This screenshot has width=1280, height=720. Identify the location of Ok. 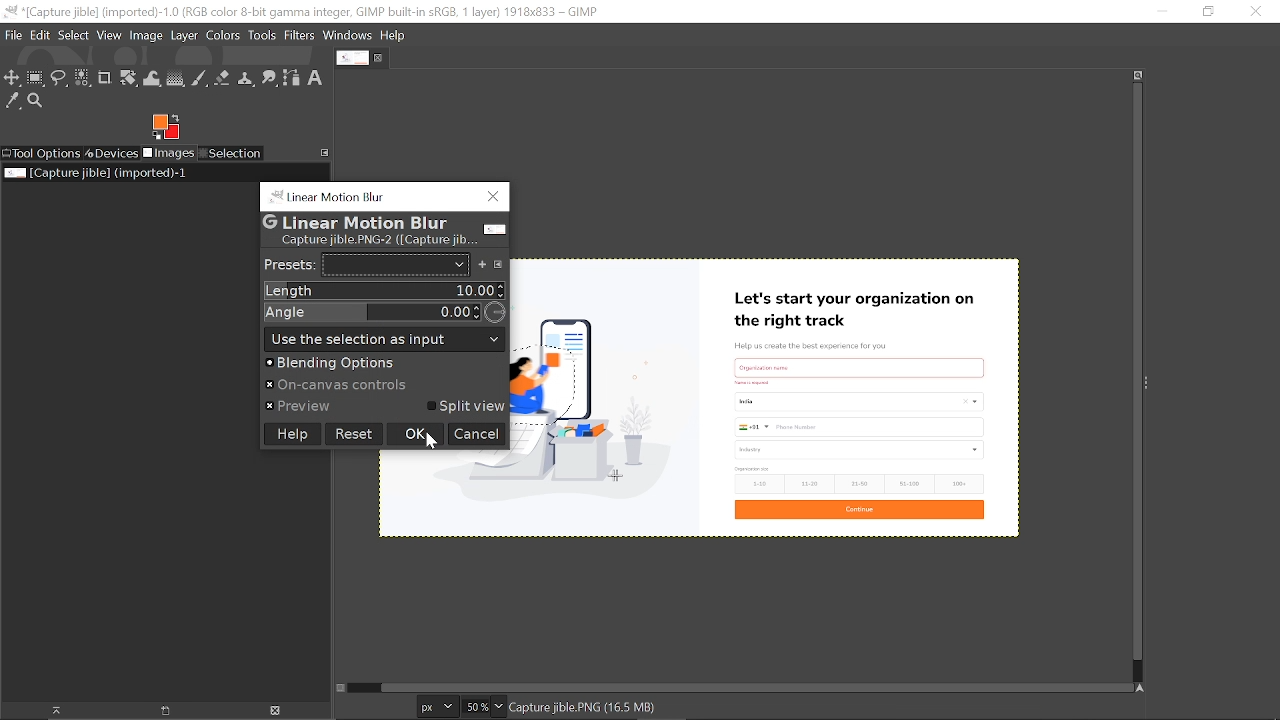
(415, 435).